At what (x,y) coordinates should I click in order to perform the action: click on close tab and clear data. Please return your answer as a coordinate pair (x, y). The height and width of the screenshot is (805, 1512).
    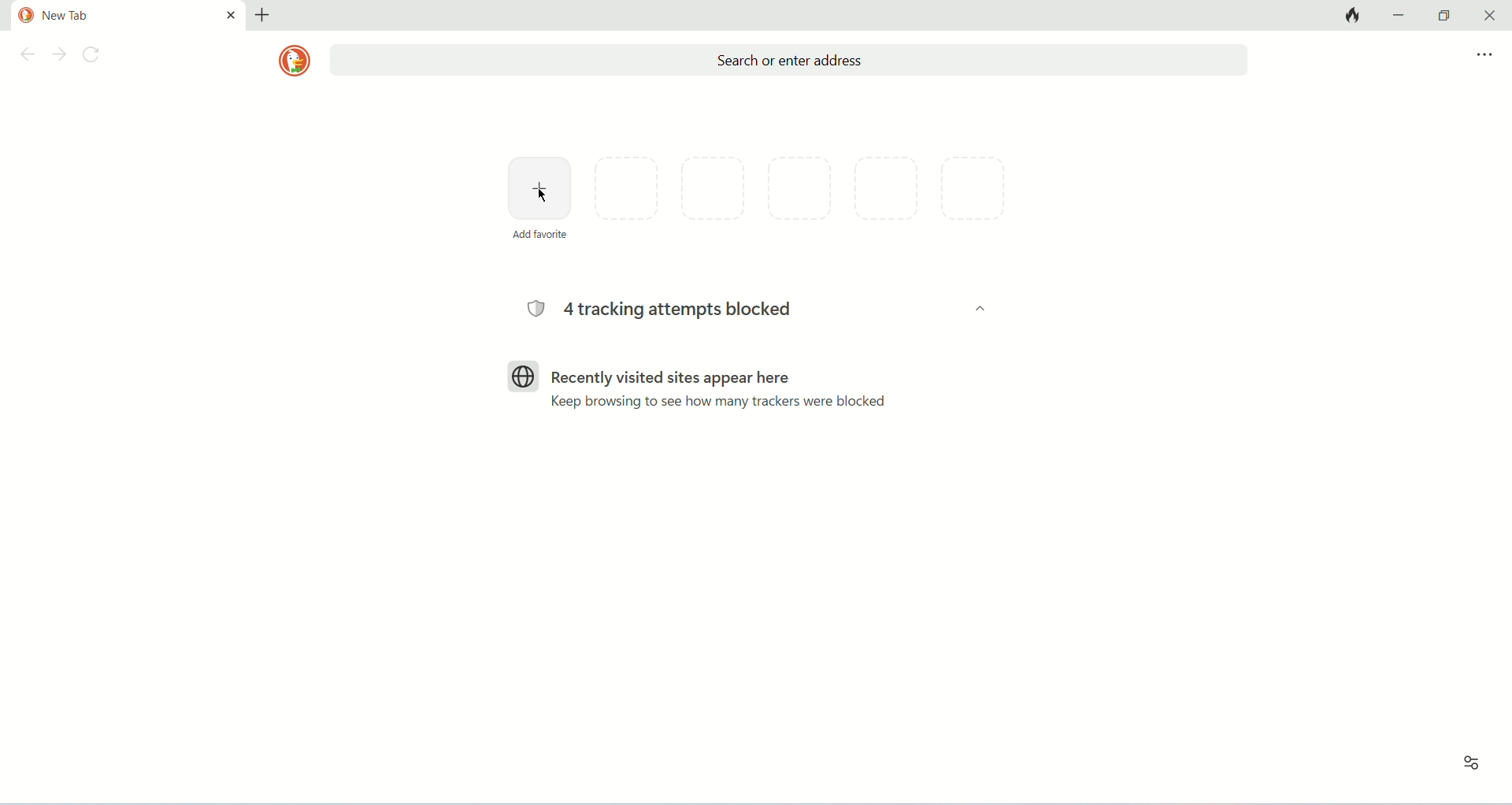
    Looking at the image, I should click on (1351, 15).